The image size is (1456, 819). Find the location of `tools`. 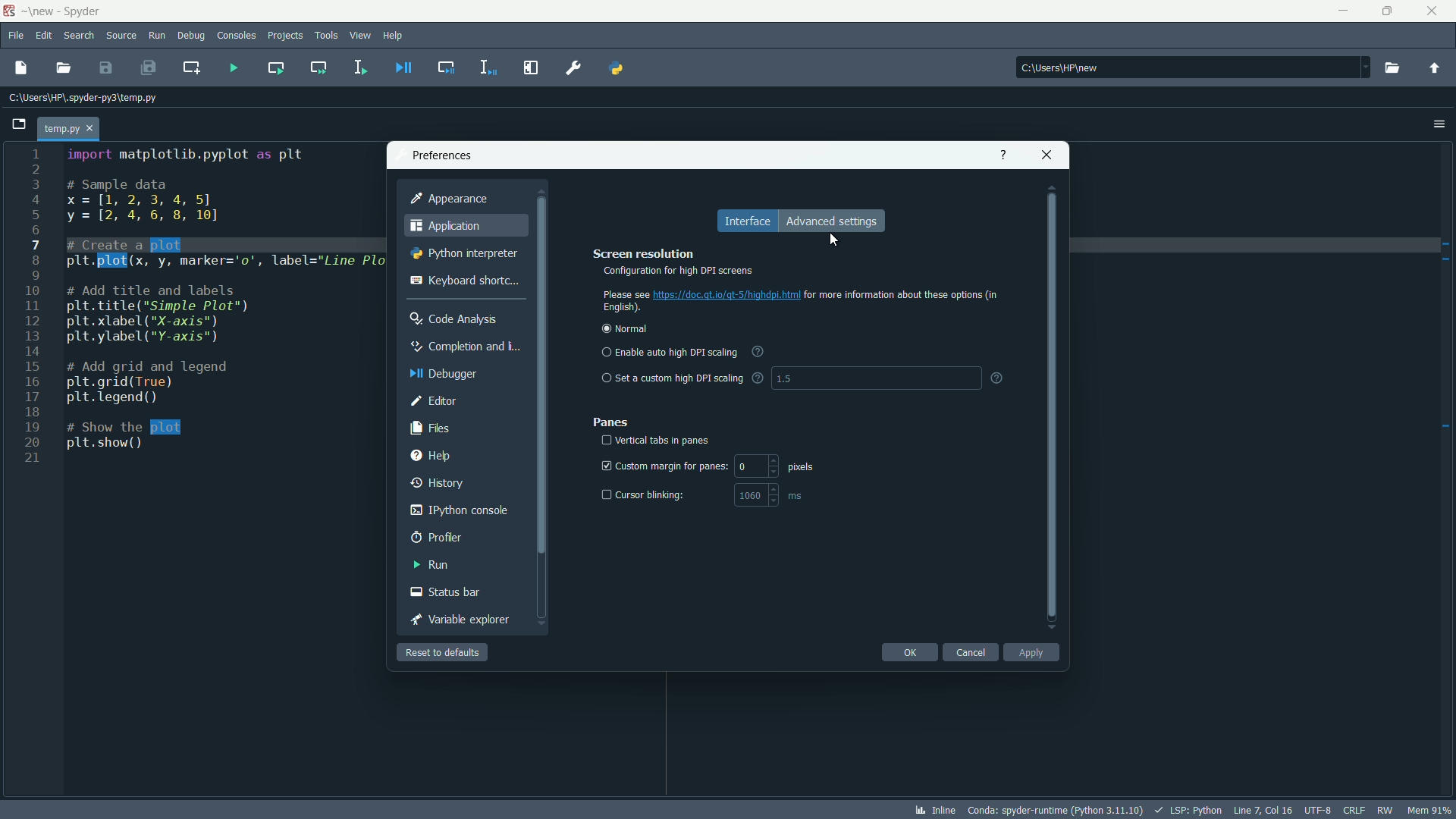

tools is located at coordinates (325, 35).